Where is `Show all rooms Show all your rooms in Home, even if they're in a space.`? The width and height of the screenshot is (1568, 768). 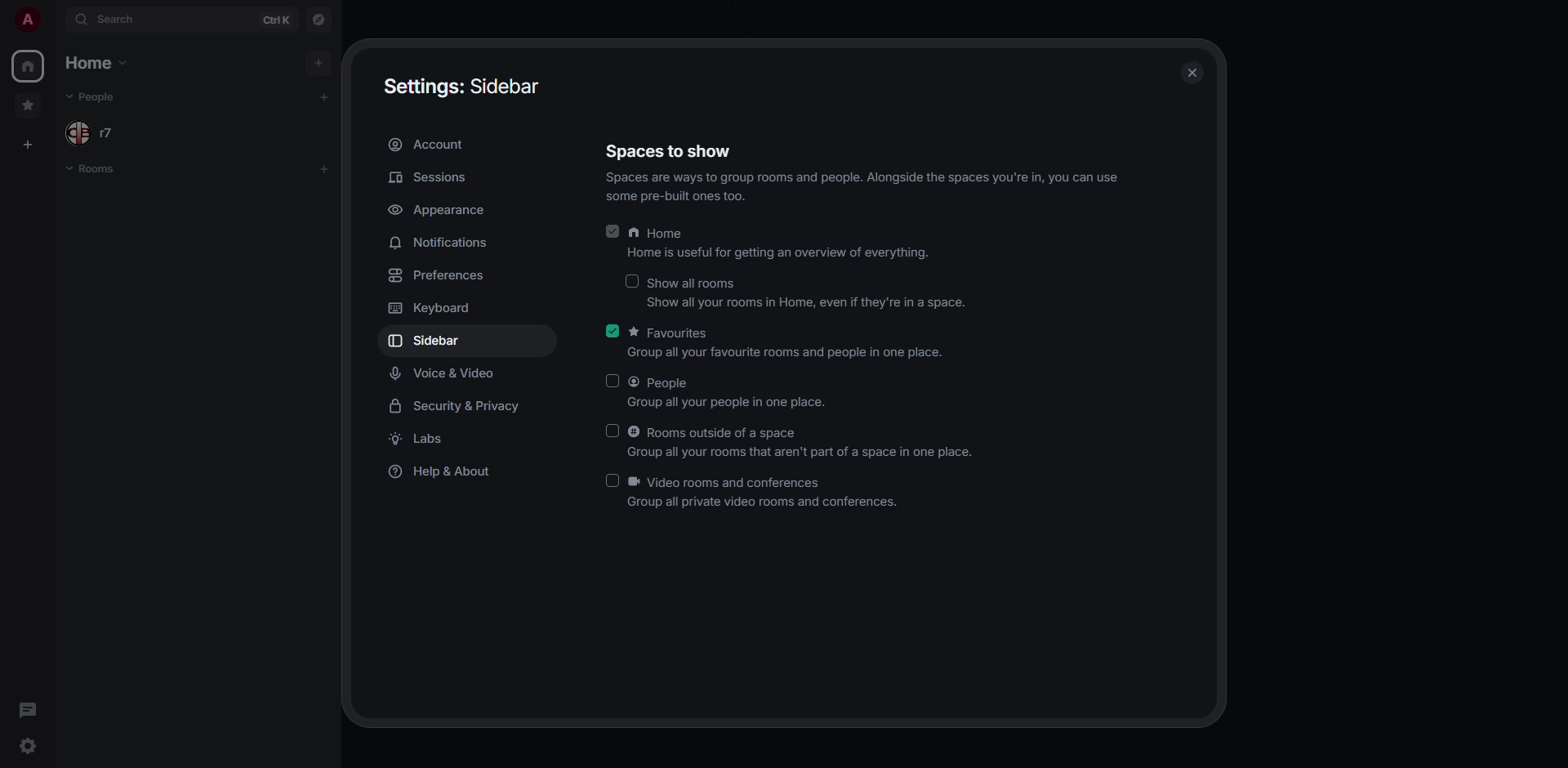 Show all rooms Show all your rooms in Home, even if they're in a space. is located at coordinates (809, 291).